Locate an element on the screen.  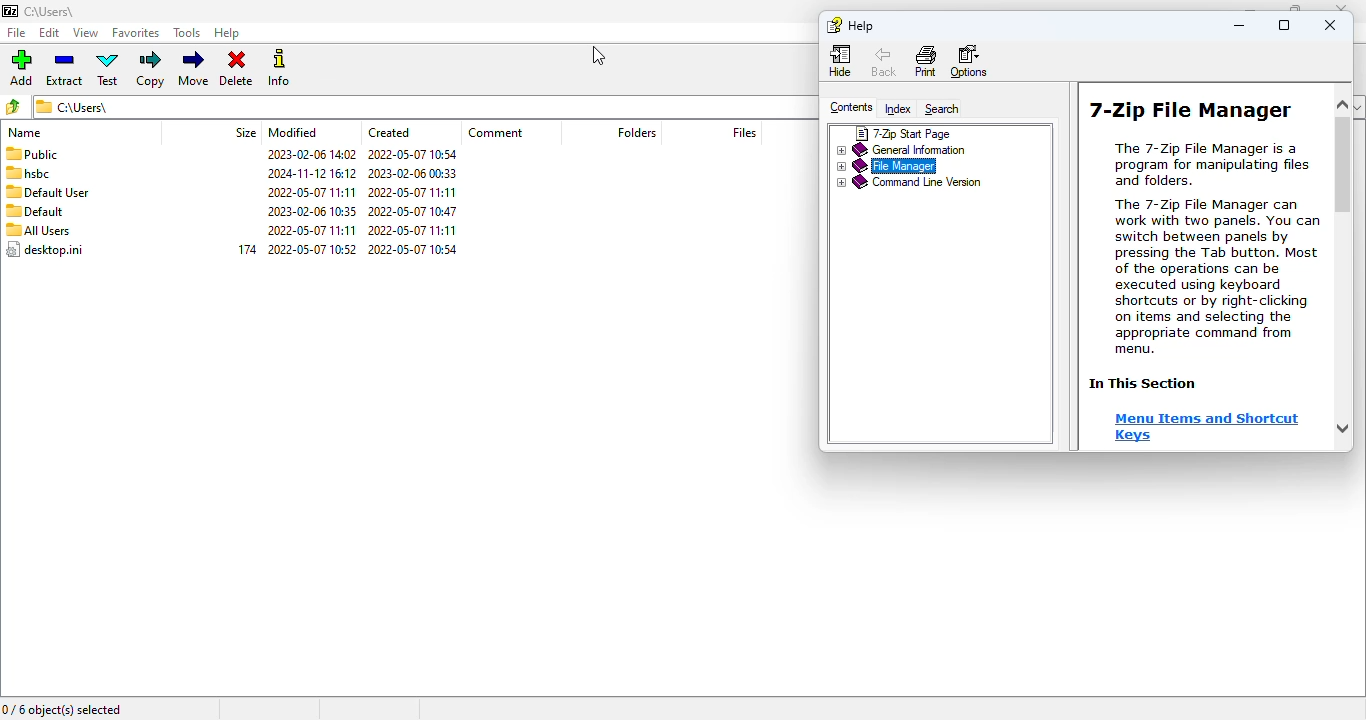
index is located at coordinates (898, 110).